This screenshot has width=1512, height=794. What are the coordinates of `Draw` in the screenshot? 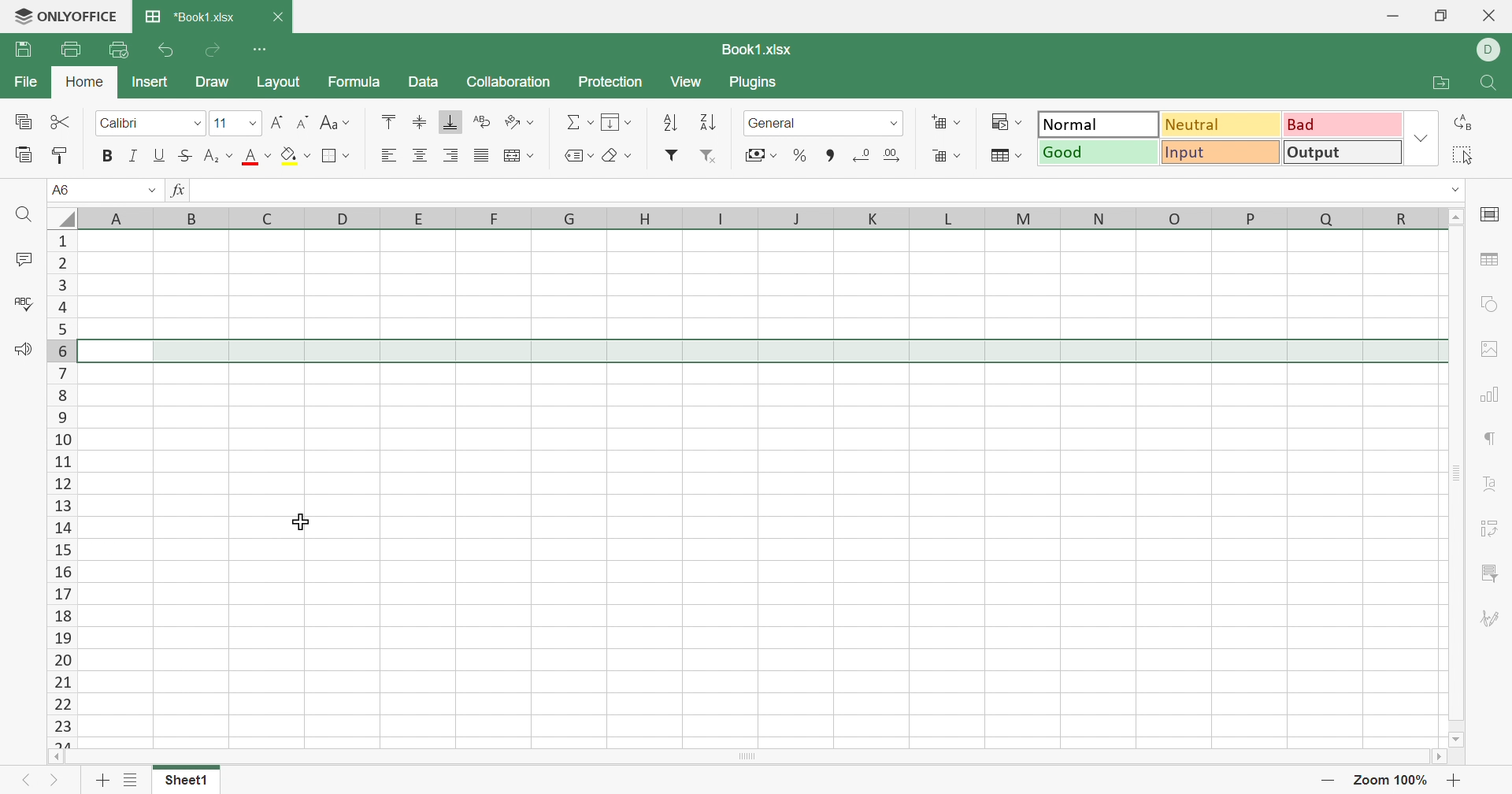 It's located at (211, 81).